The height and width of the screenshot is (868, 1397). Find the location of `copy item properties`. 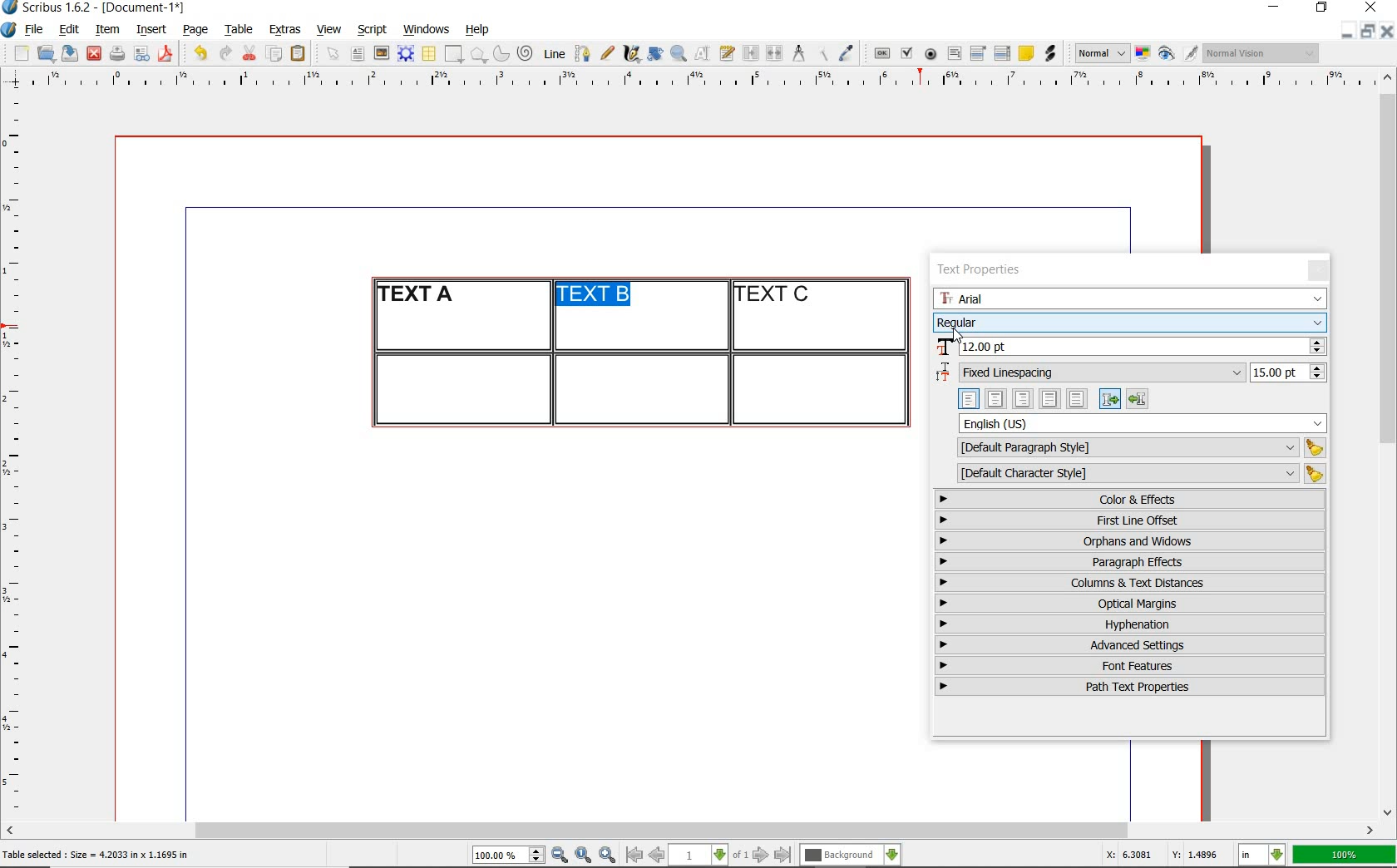

copy item properties is located at coordinates (822, 53).